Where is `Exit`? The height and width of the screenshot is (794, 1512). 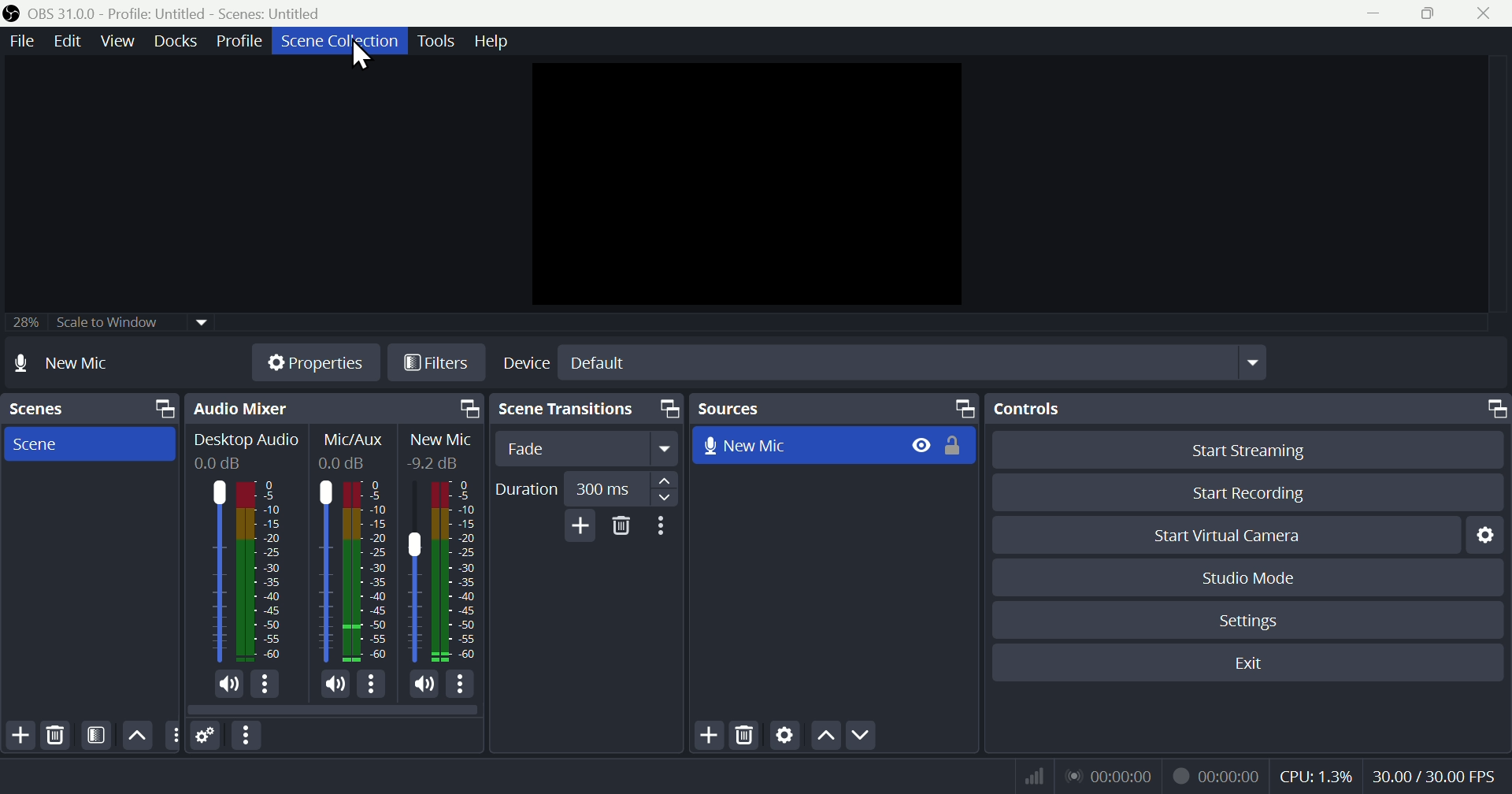 Exit is located at coordinates (1251, 665).